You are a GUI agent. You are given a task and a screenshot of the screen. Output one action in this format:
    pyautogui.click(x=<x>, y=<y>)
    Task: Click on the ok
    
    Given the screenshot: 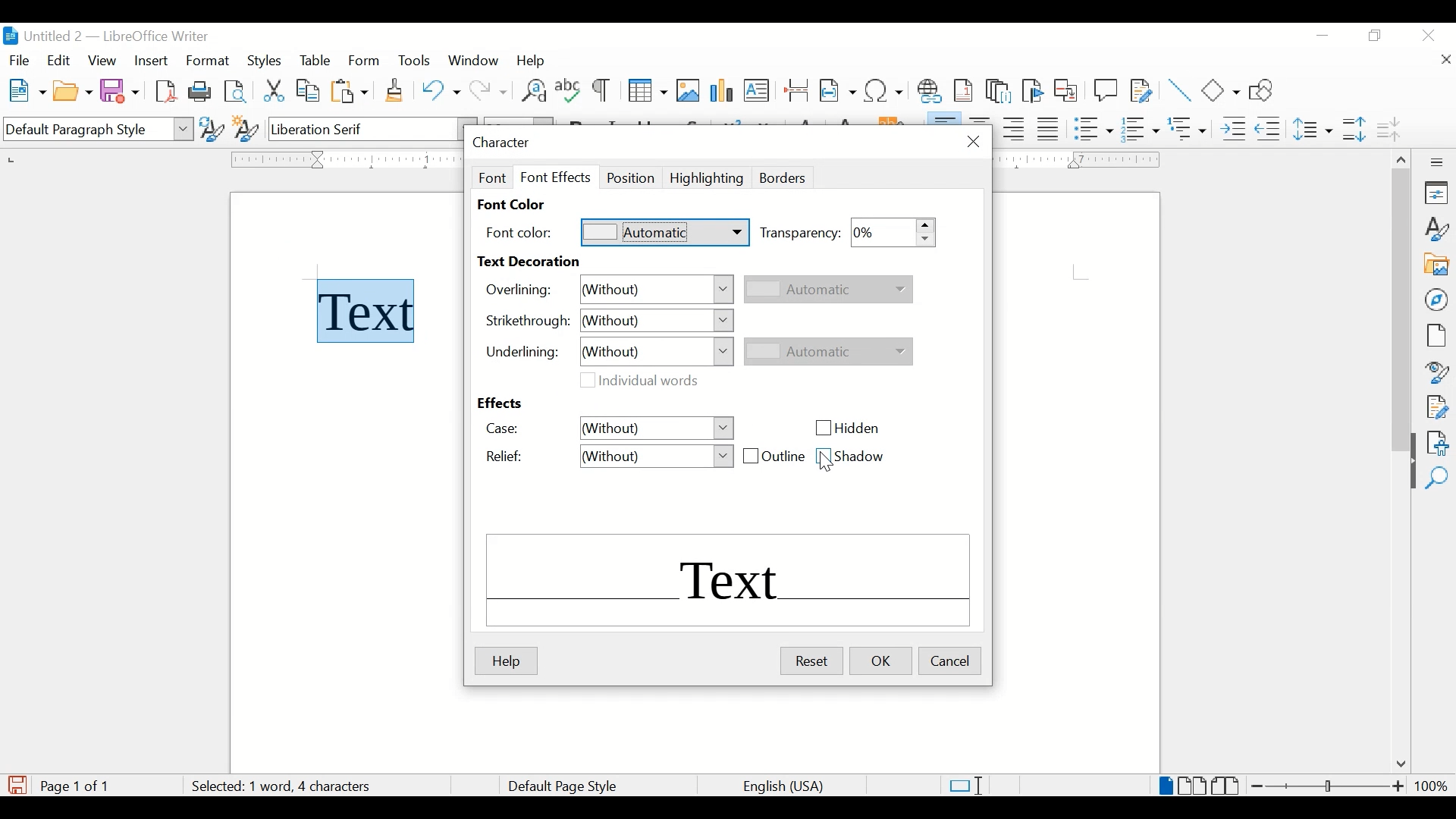 What is the action you would take?
    pyautogui.click(x=880, y=661)
    